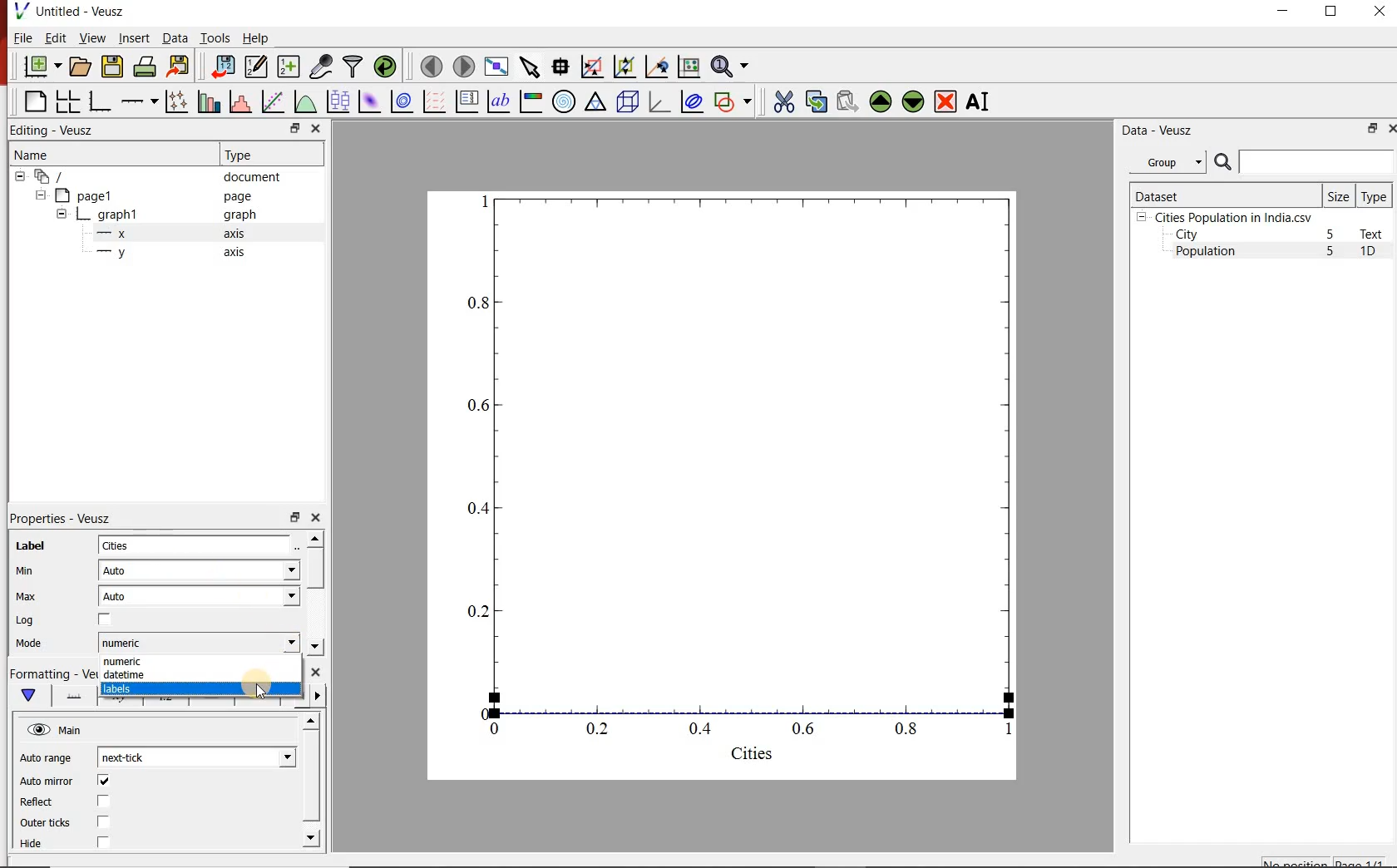 The image size is (1397, 868). I want to click on restore, so click(294, 128).